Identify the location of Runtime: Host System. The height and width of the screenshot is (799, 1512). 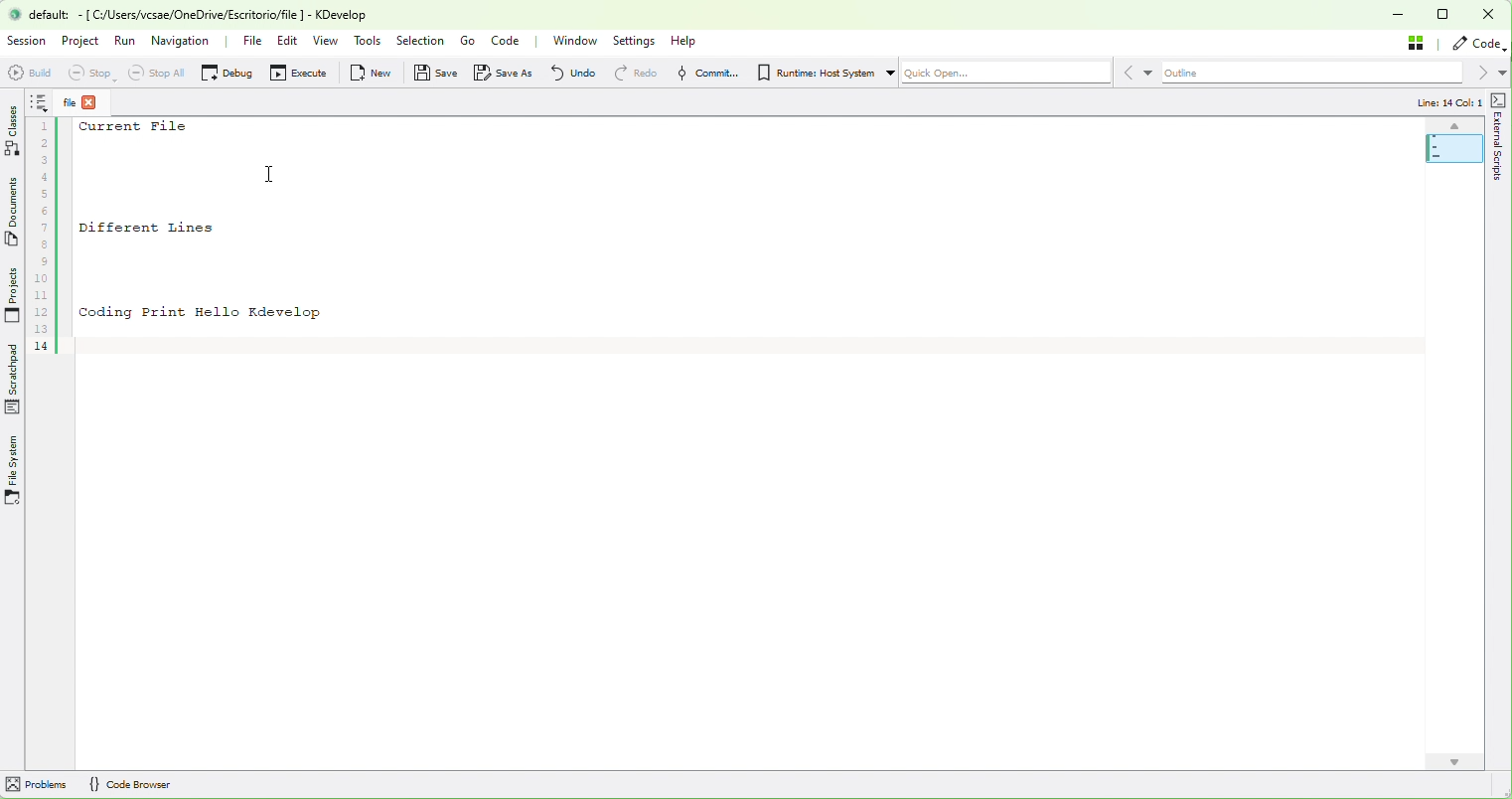
(822, 72).